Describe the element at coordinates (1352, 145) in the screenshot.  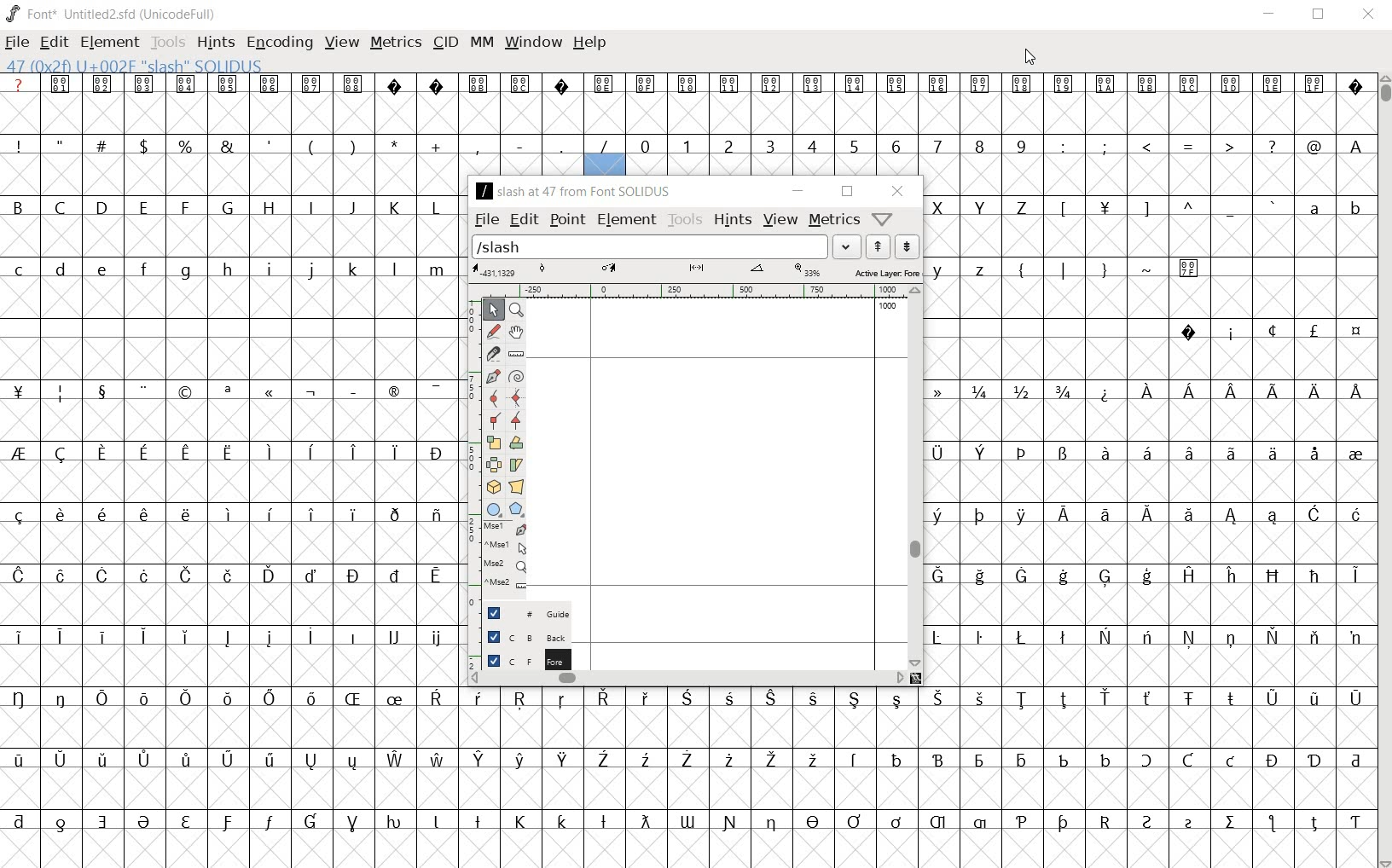
I see `A` at that location.